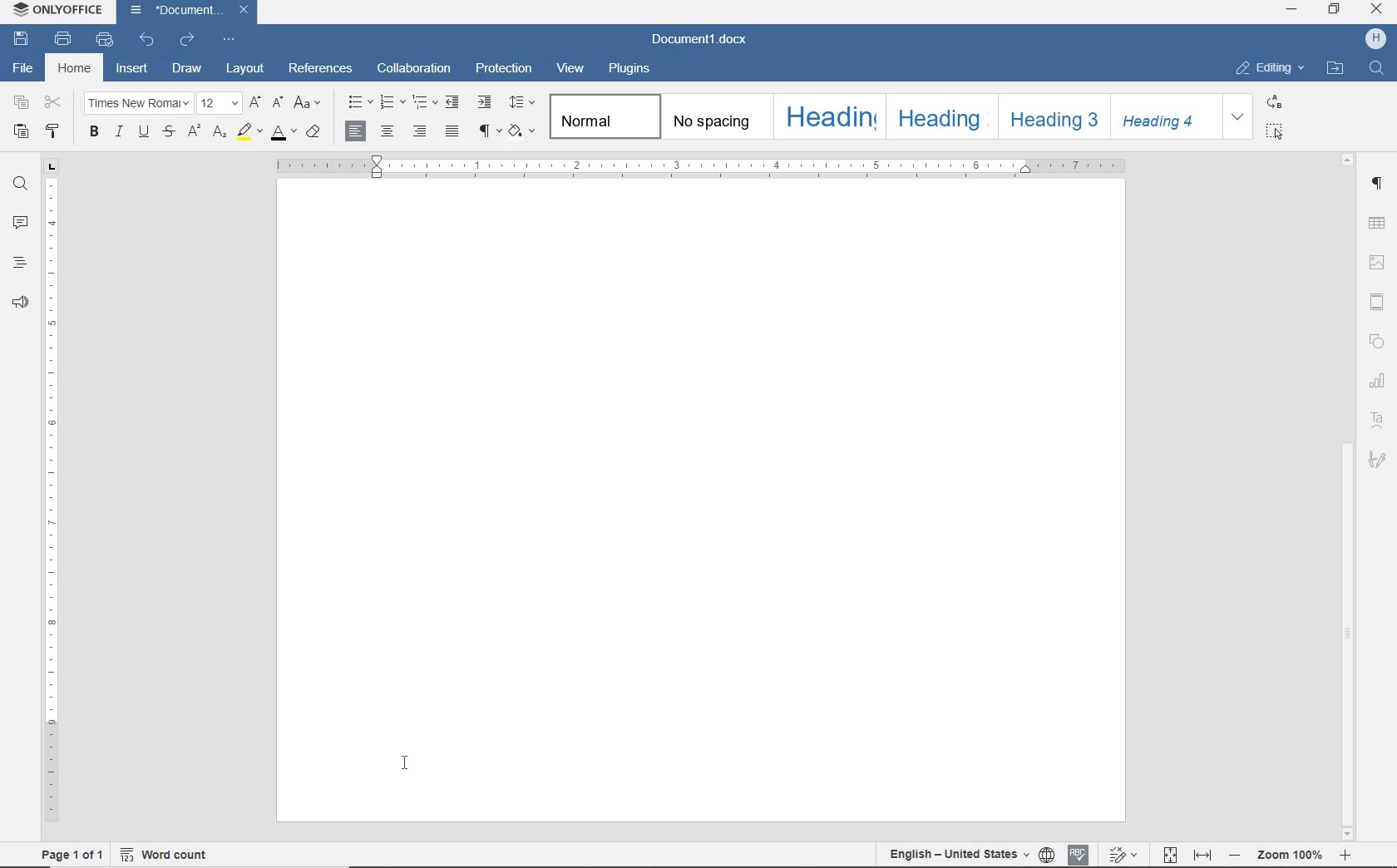 The image size is (1397, 868). Describe the element at coordinates (1079, 856) in the screenshot. I see `spell check` at that location.